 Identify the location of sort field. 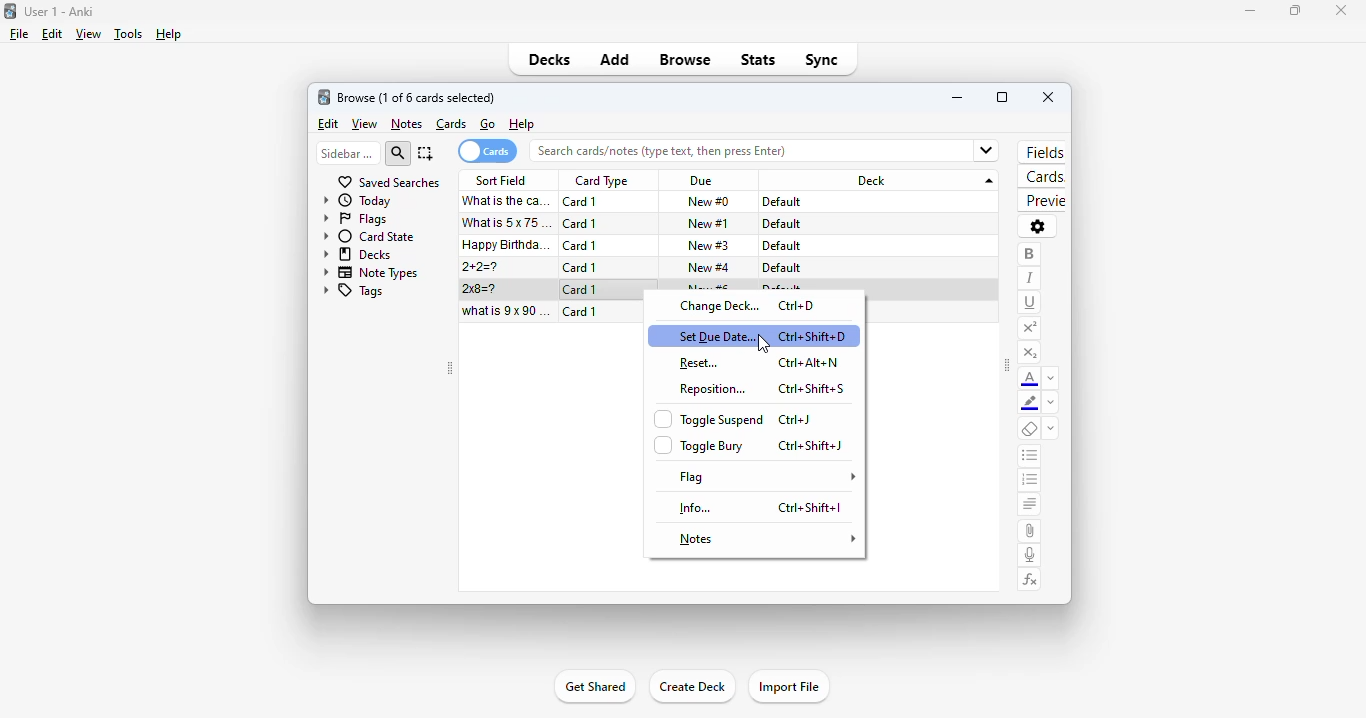
(502, 180).